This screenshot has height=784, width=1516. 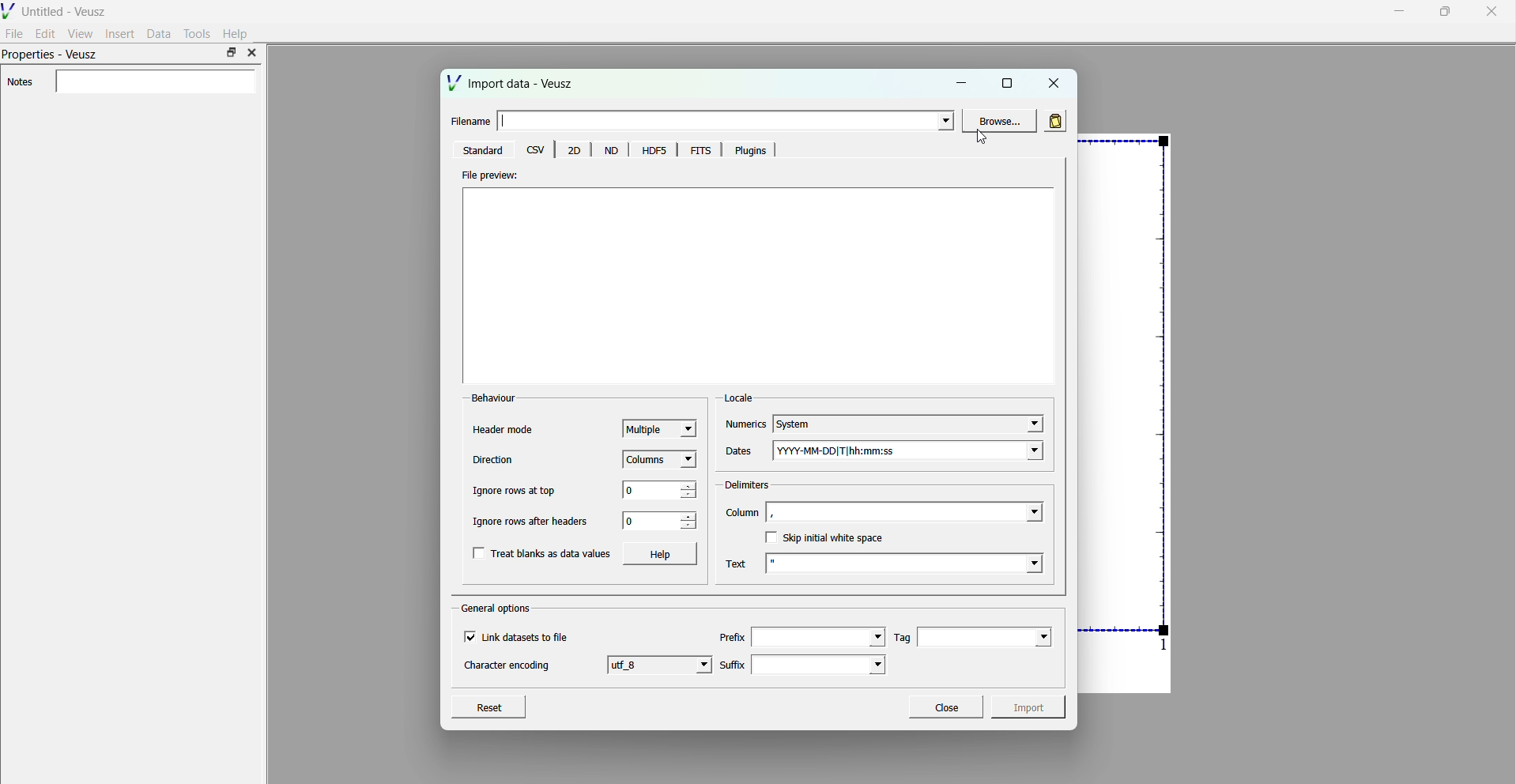 What do you see at coordinates (741, 512) in the screenshot?
I see `Column` at bounding box center [741, 512].